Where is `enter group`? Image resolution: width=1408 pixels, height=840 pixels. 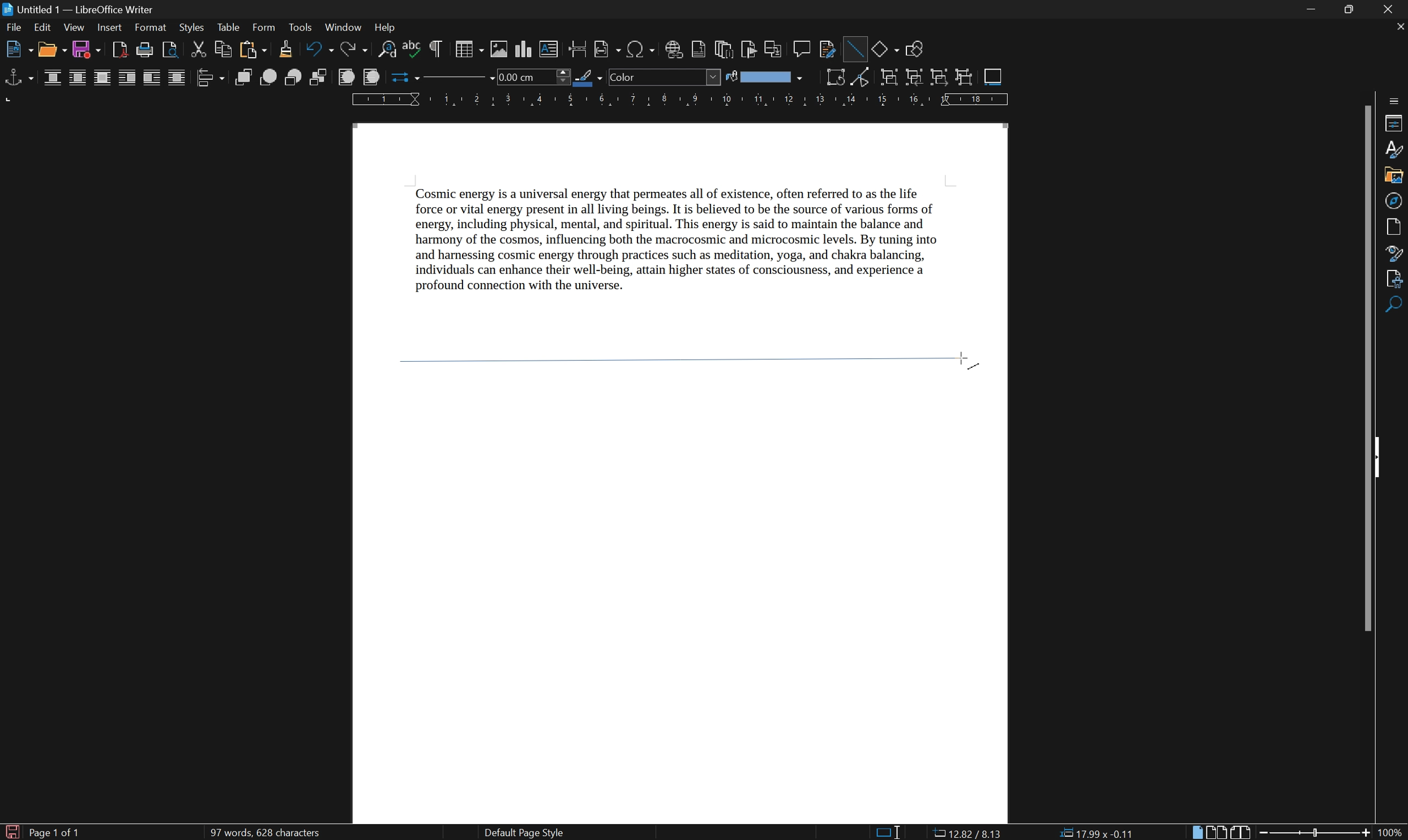 enter group is located at coordinates (914, 78).